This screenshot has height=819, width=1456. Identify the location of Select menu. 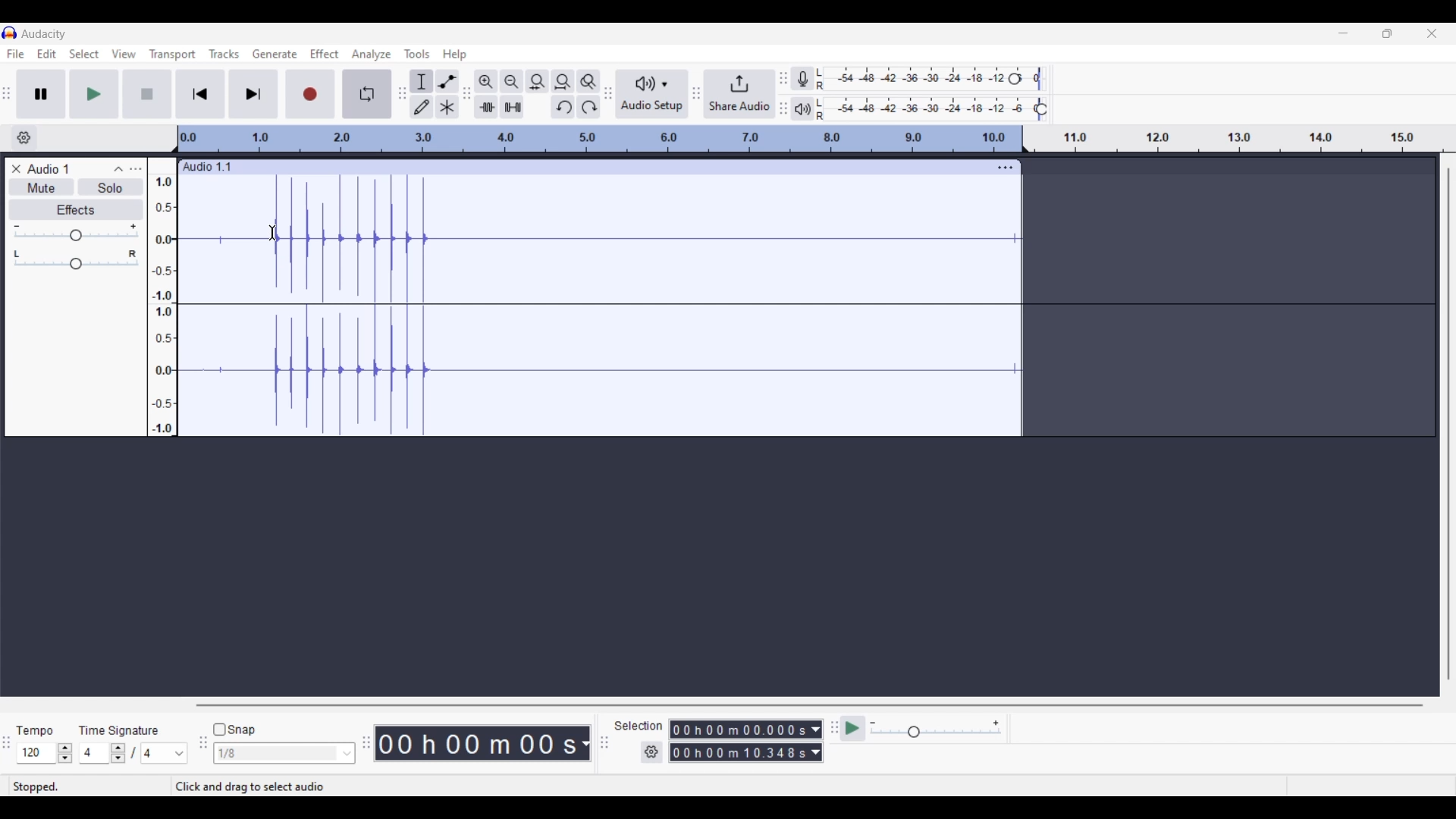
(84, 54).